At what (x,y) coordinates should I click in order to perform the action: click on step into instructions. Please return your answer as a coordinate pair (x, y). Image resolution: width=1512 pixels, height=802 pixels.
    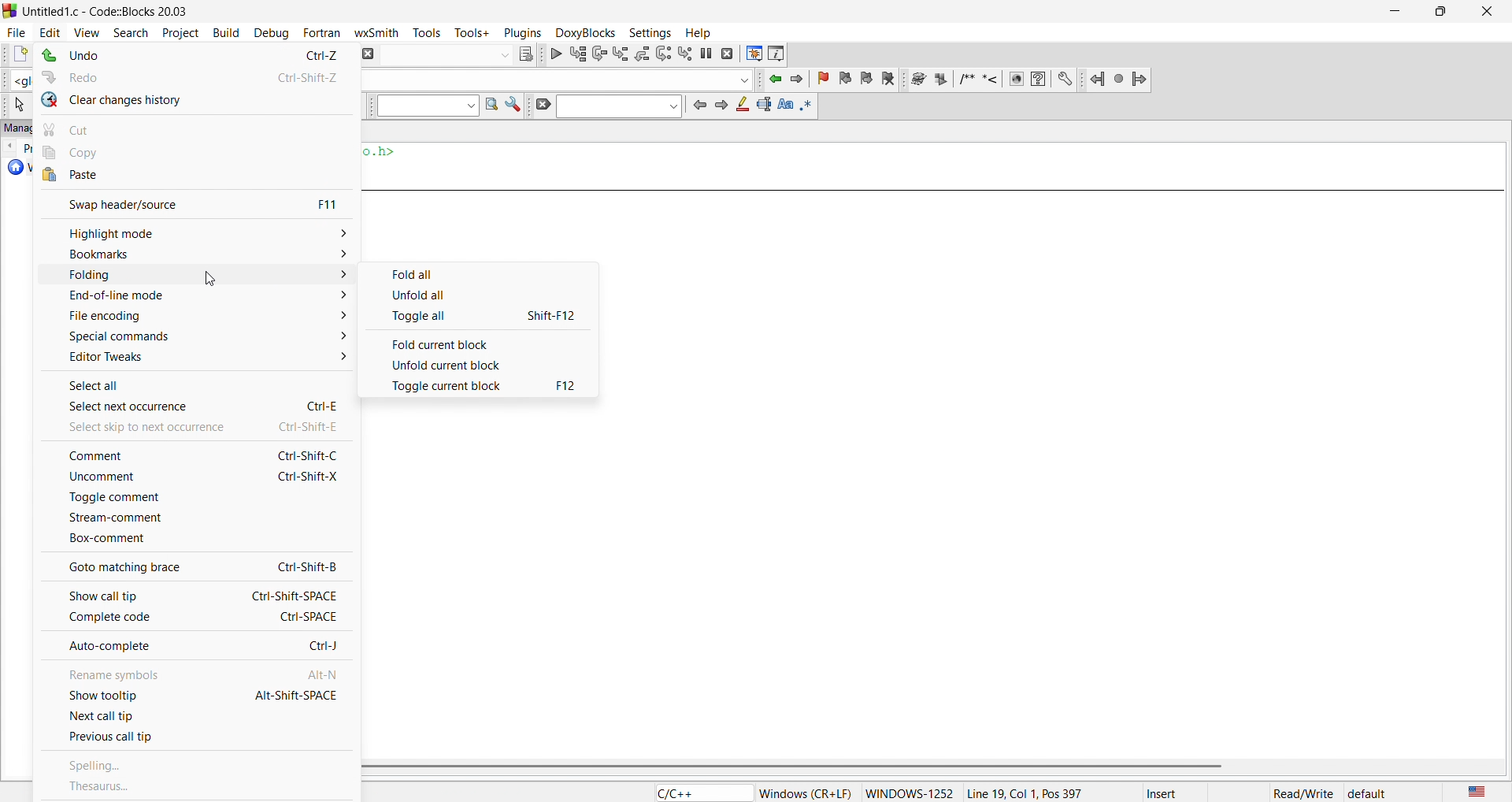
    Looking at the image, I should click on (686, 53).